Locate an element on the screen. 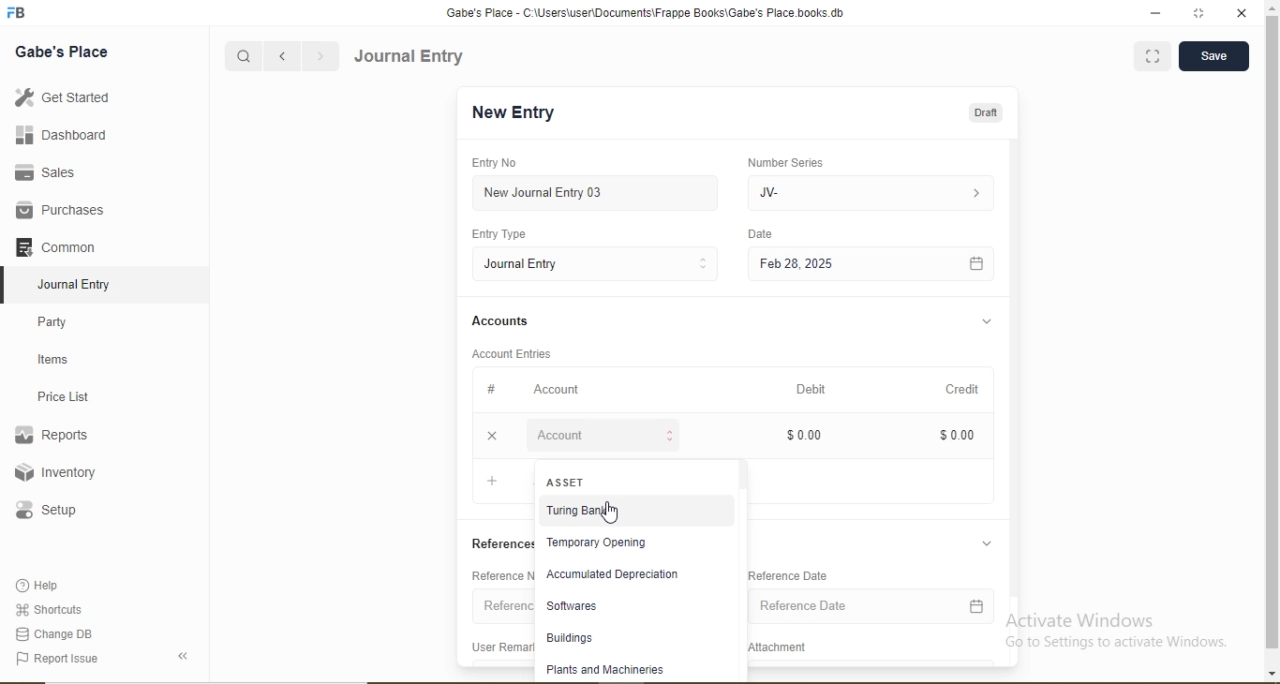  Reference Date is located at coordinates (806, 605).